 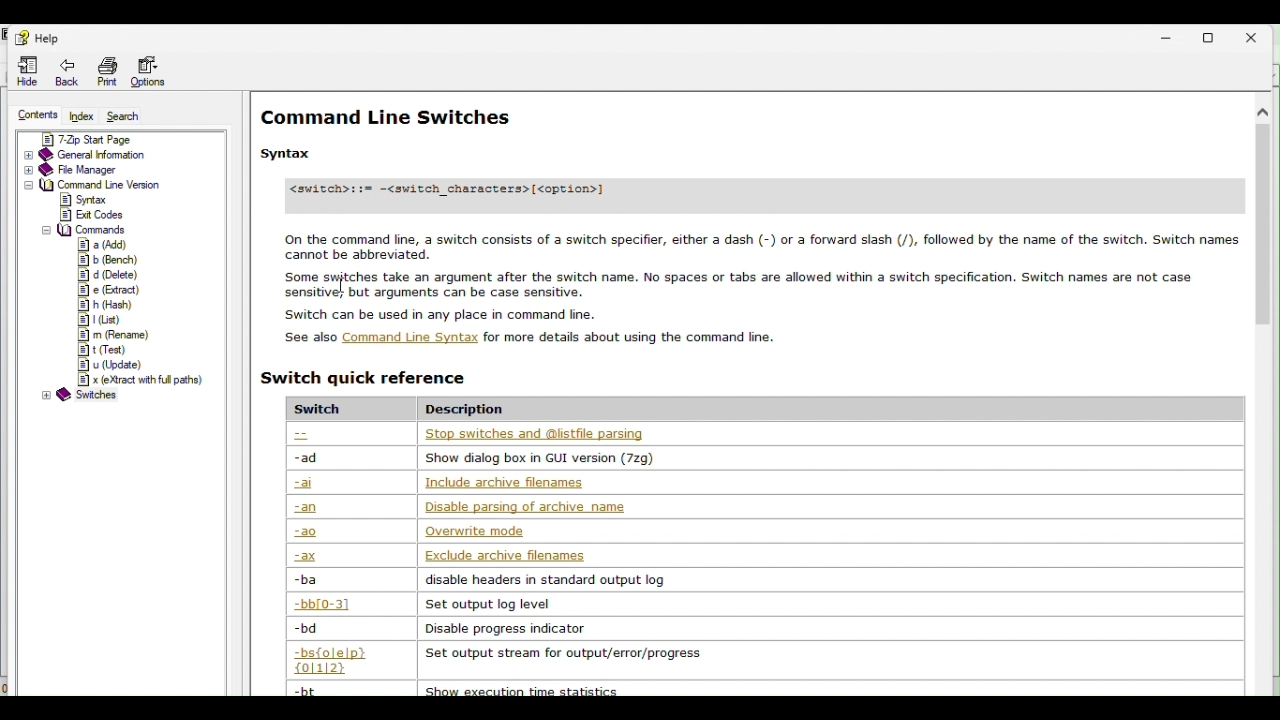 What do you see at coordinates (481, 532) in the screenshot?
I see `overwrite mode` at bounding box center [481, 532].